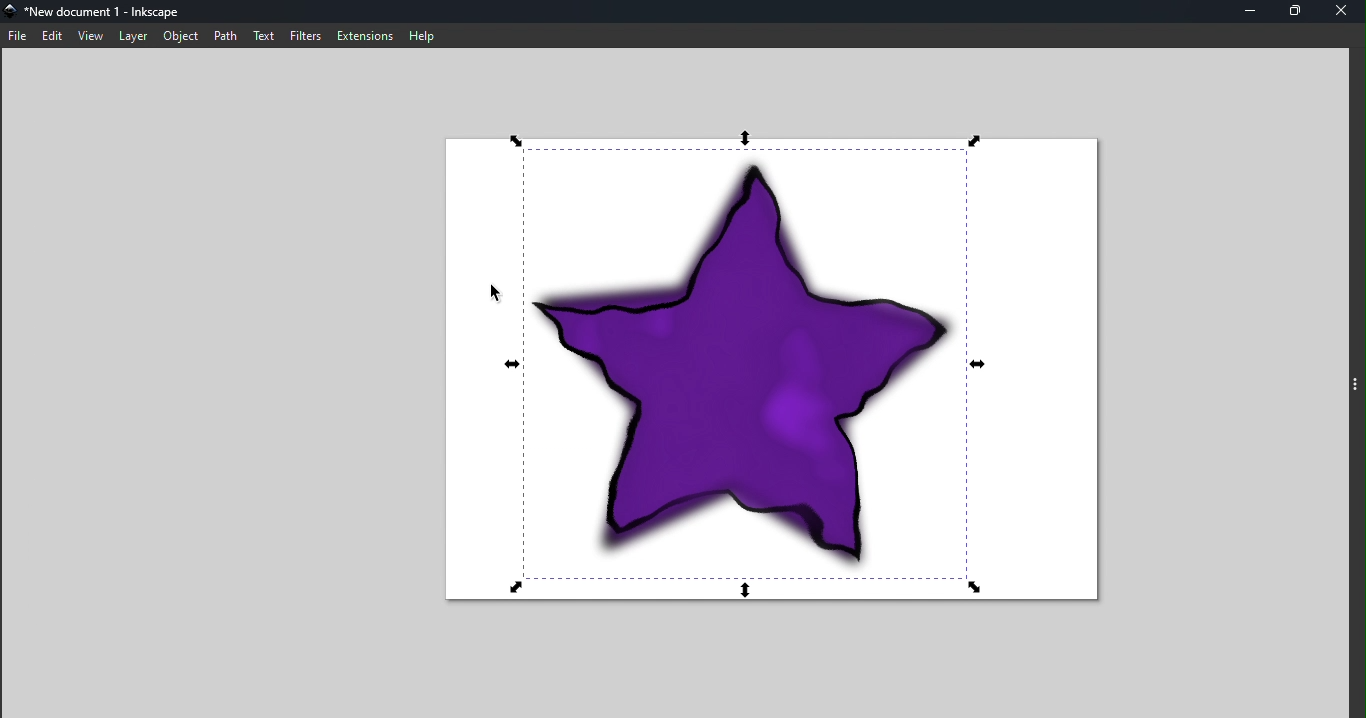 The height and width of the screenshot is (718, 1366). Describe the element at coordinates (492, 294) in the screenshot. I see `cursor` at that location.